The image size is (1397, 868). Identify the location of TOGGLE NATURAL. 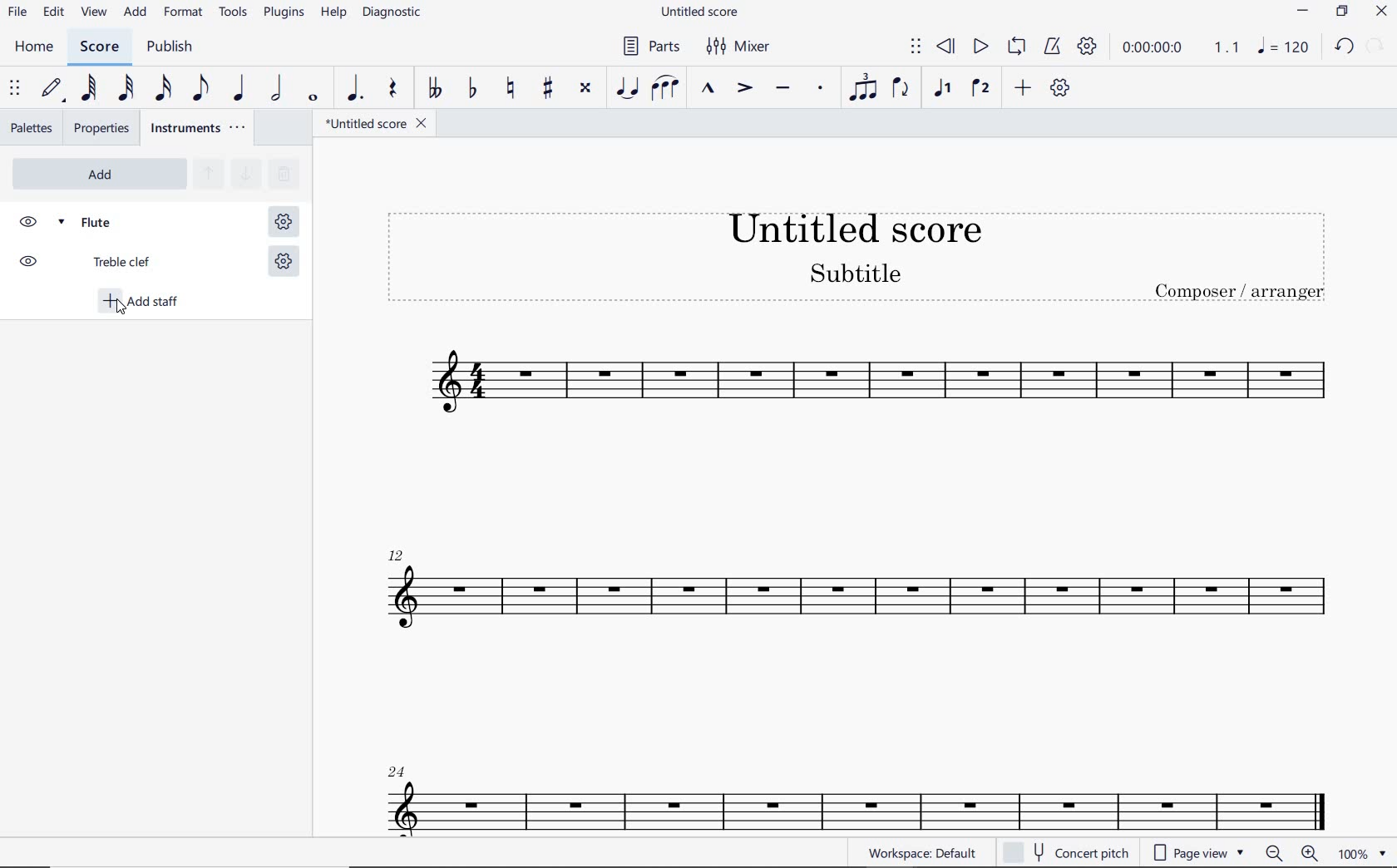
(510, 89).